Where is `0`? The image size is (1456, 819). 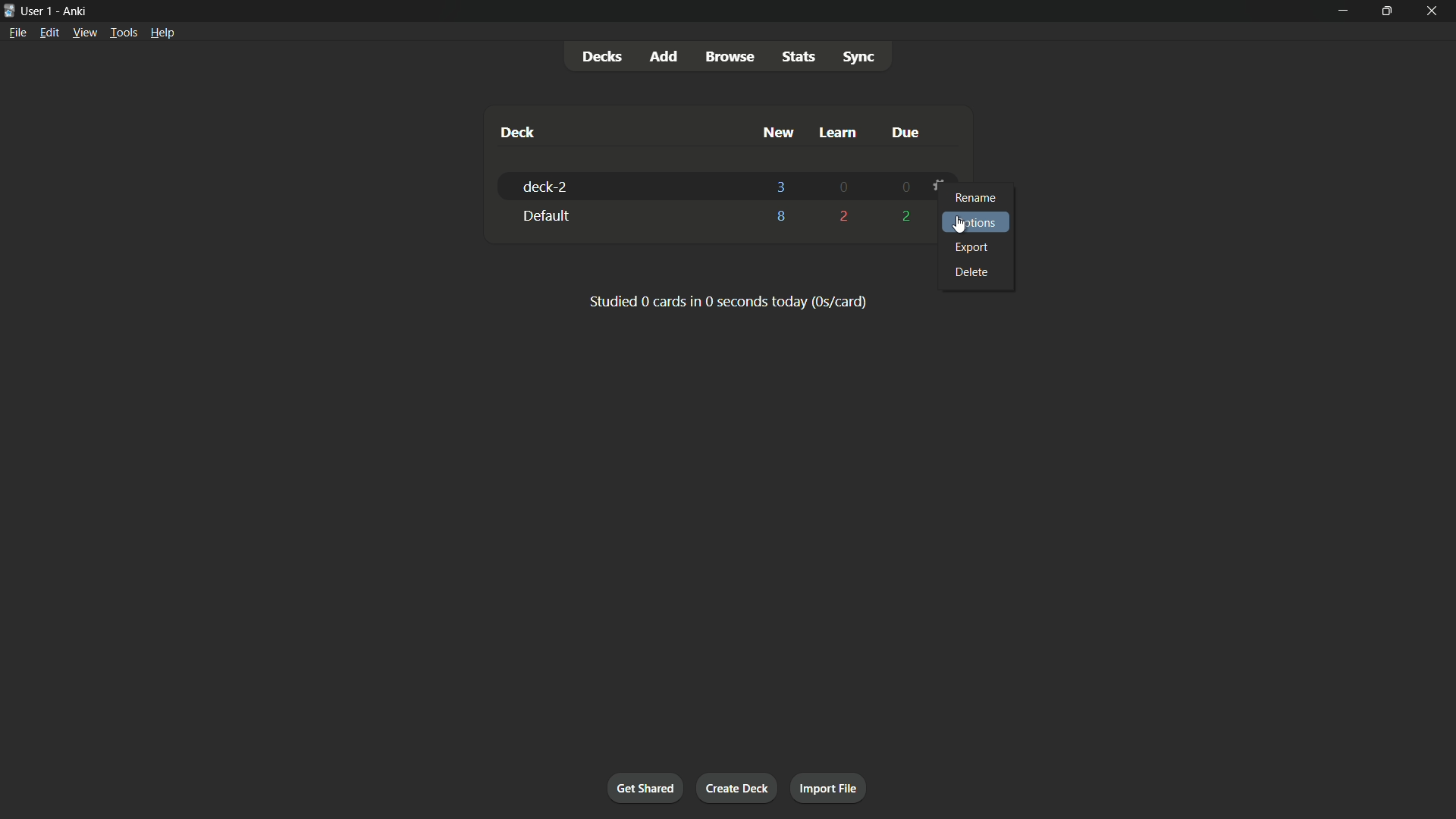 0 is located at coordinates (843, 188).